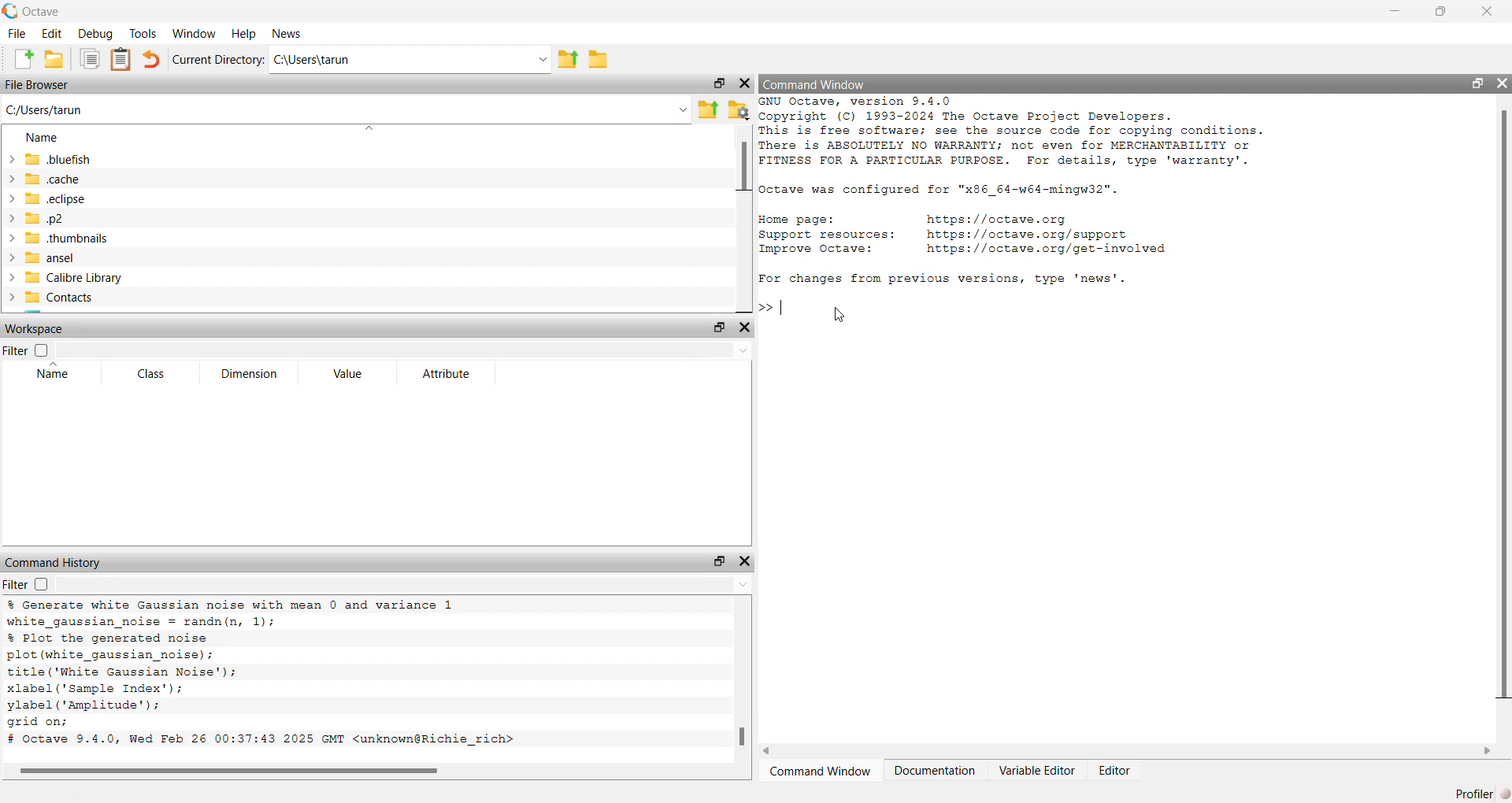 The height and width of the screenshot is (803, 1512). I want to click on folder, so click(598, 57).